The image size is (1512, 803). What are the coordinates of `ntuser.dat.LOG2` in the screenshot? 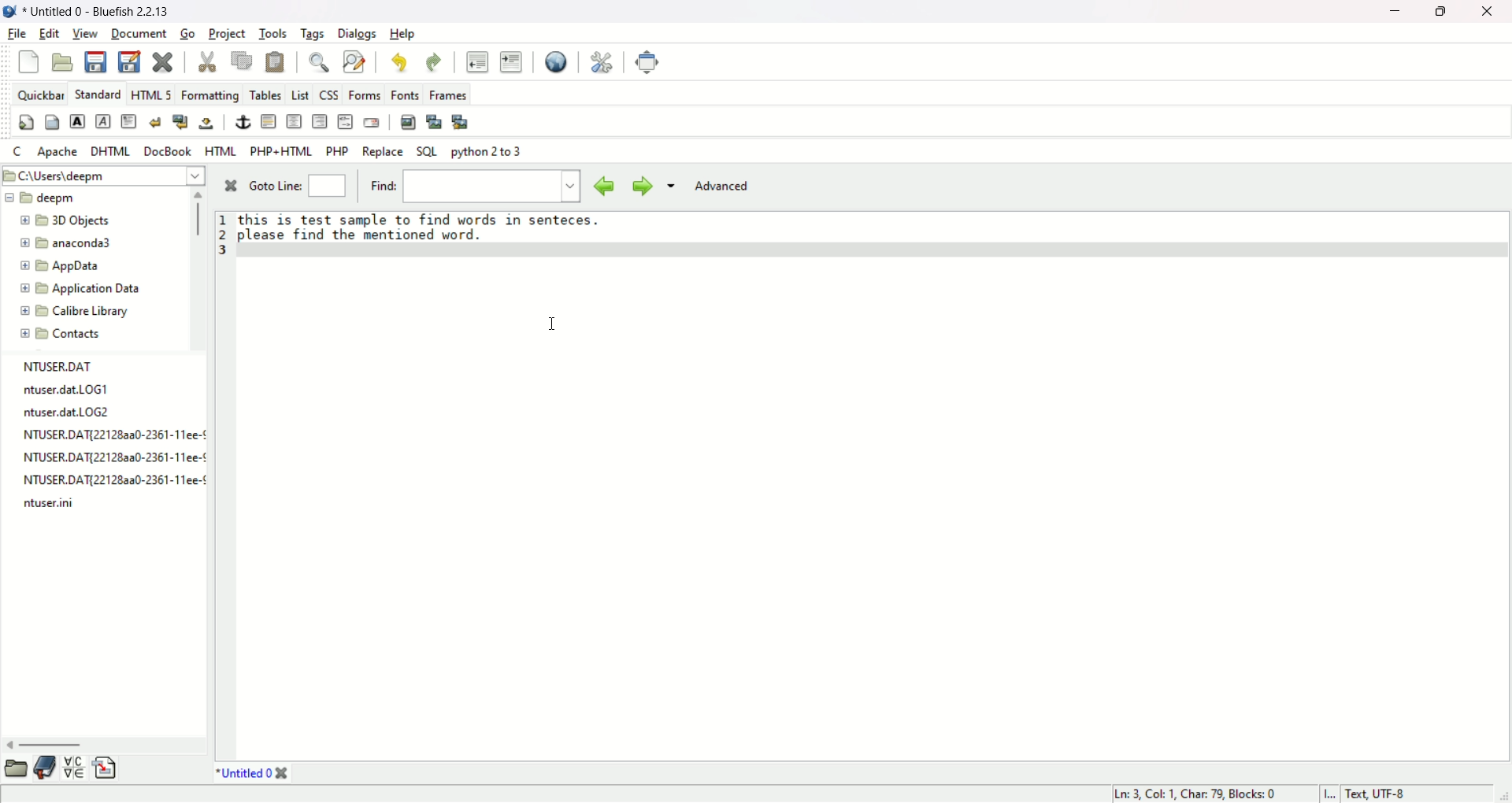 It's located at (68, 412).